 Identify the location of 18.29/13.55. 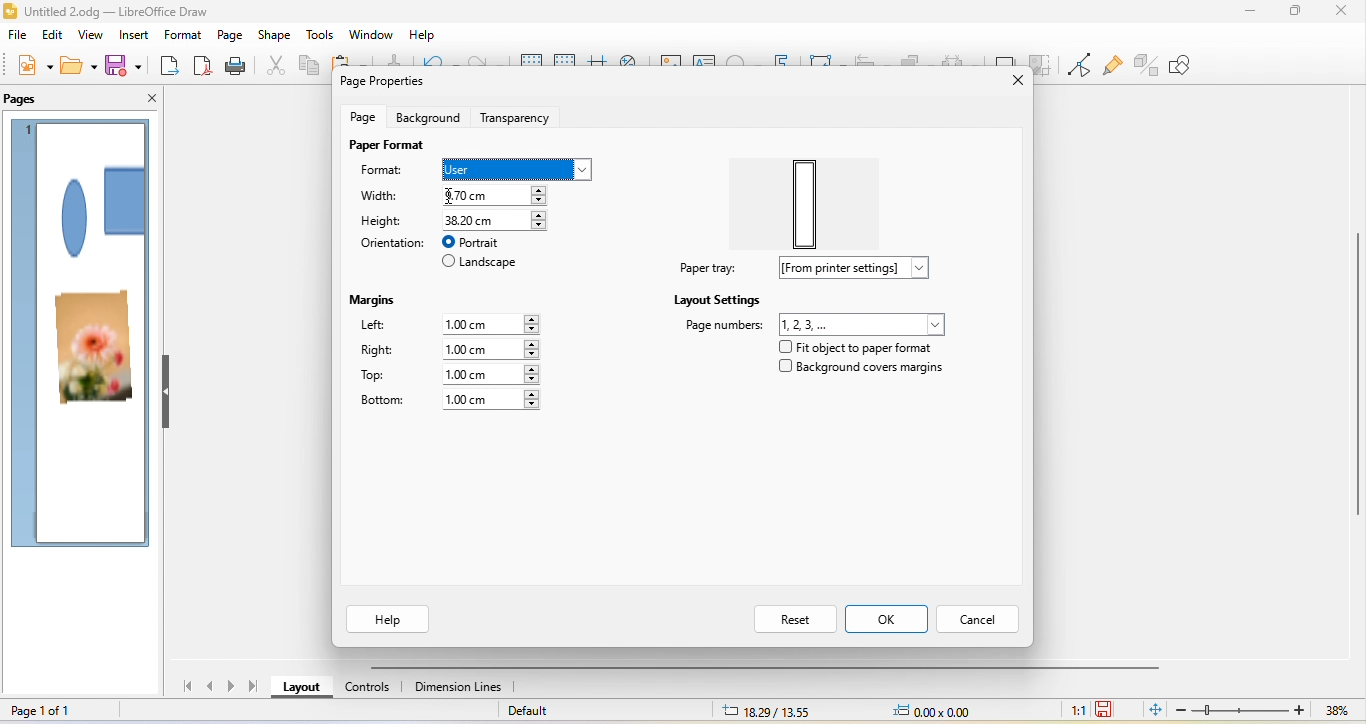
(759, 712).